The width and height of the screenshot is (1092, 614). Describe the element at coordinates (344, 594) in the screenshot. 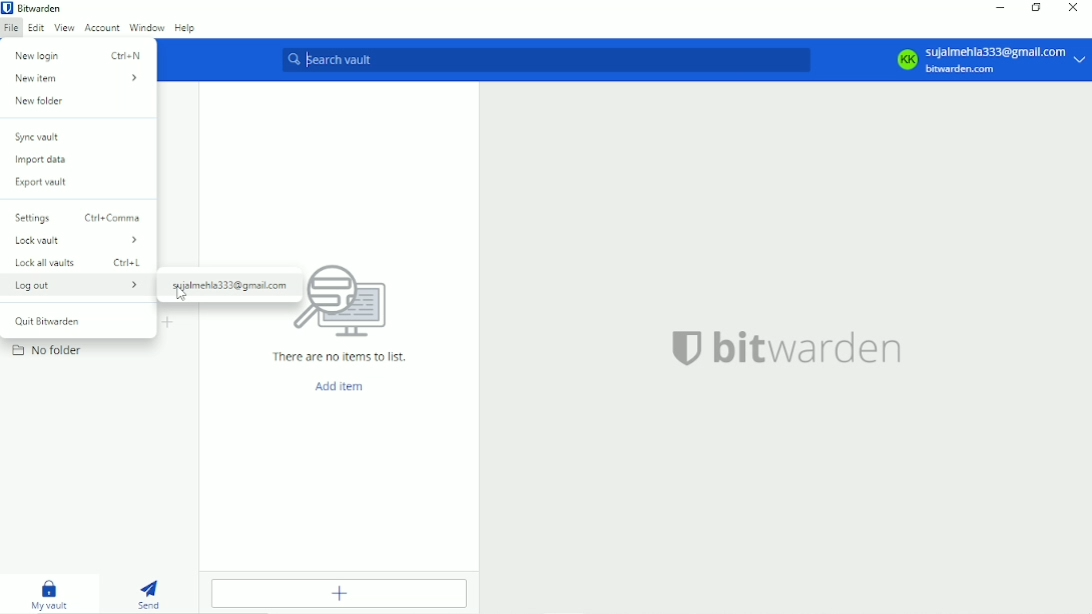

I see `Add item` at that location.